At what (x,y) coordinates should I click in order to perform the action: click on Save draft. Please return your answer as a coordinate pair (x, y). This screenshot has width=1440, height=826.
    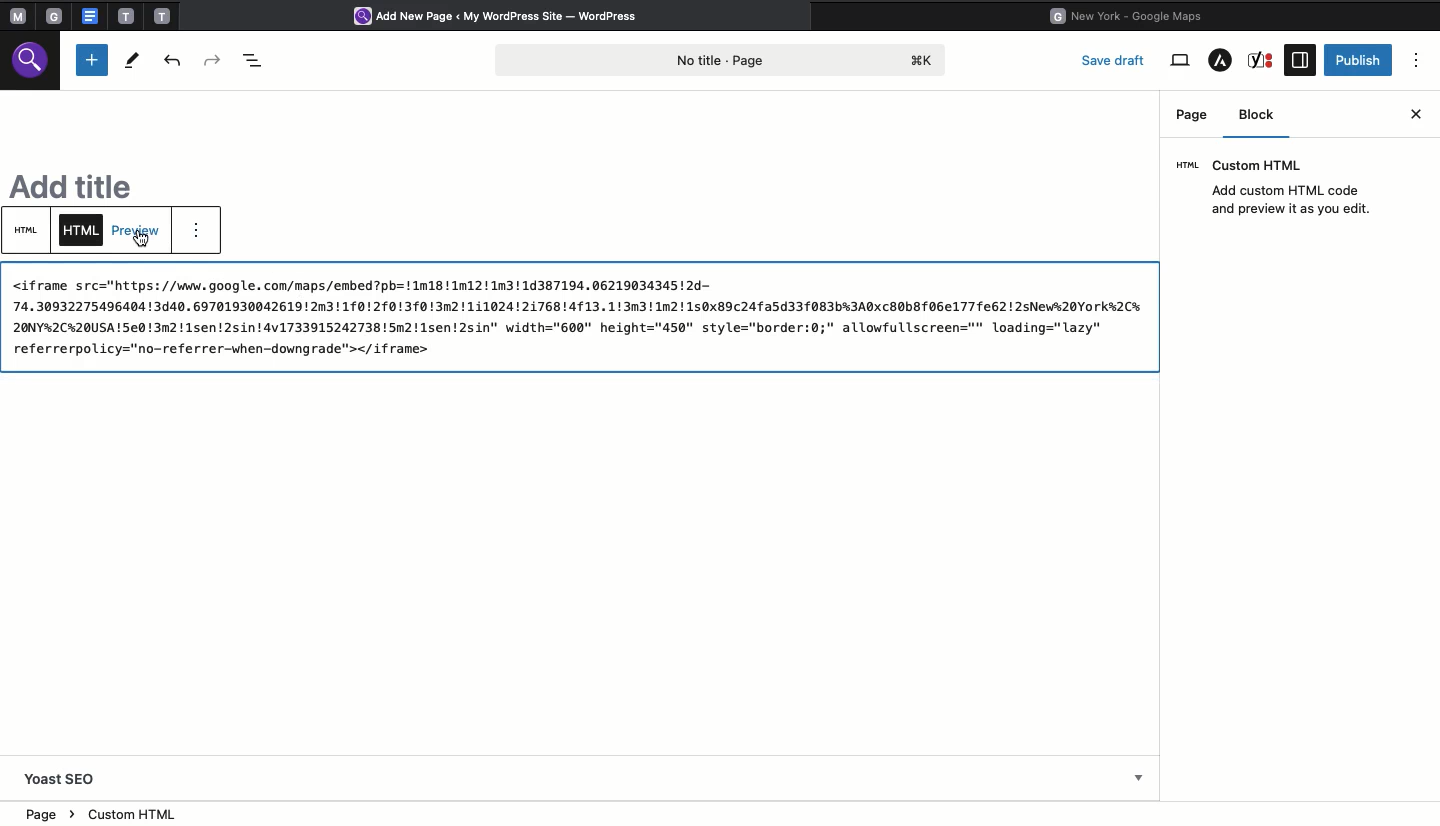
    Looking at the image, I should click on (1116, 59).